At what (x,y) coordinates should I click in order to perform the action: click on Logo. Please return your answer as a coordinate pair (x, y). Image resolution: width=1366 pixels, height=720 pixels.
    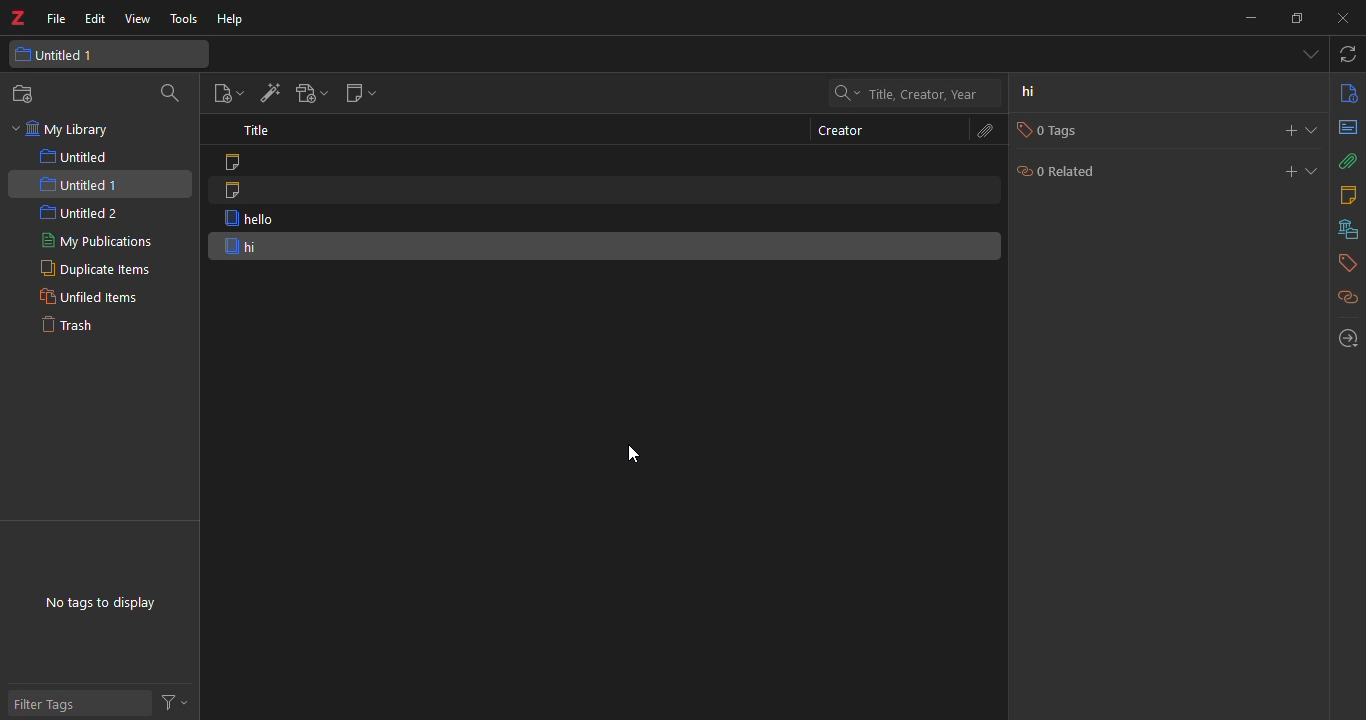
    Looking at the image, I should click on (16, 18).